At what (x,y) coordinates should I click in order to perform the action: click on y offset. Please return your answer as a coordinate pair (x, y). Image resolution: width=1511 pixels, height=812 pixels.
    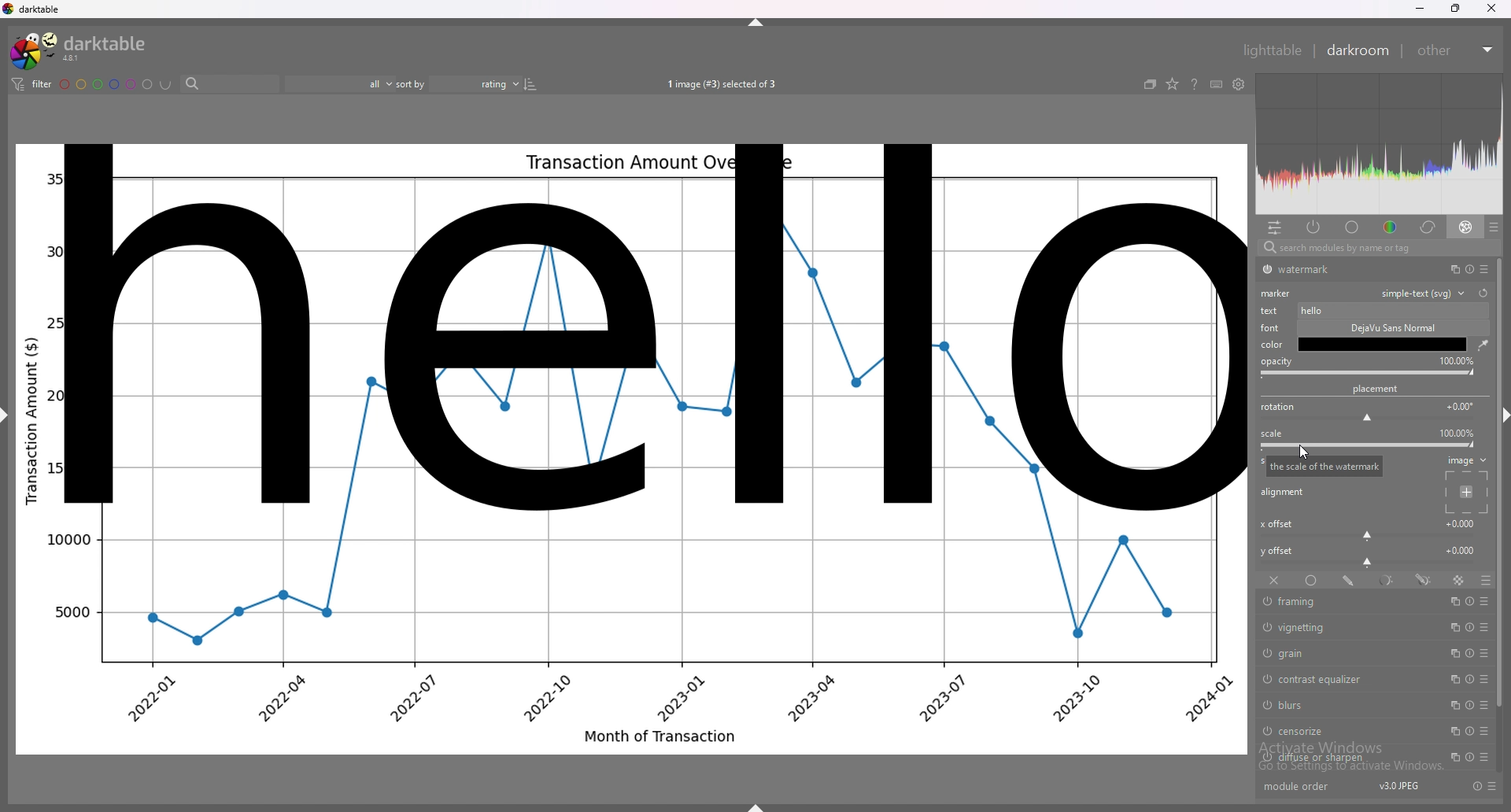
    Looking at the image, I should click on (1461, 549).